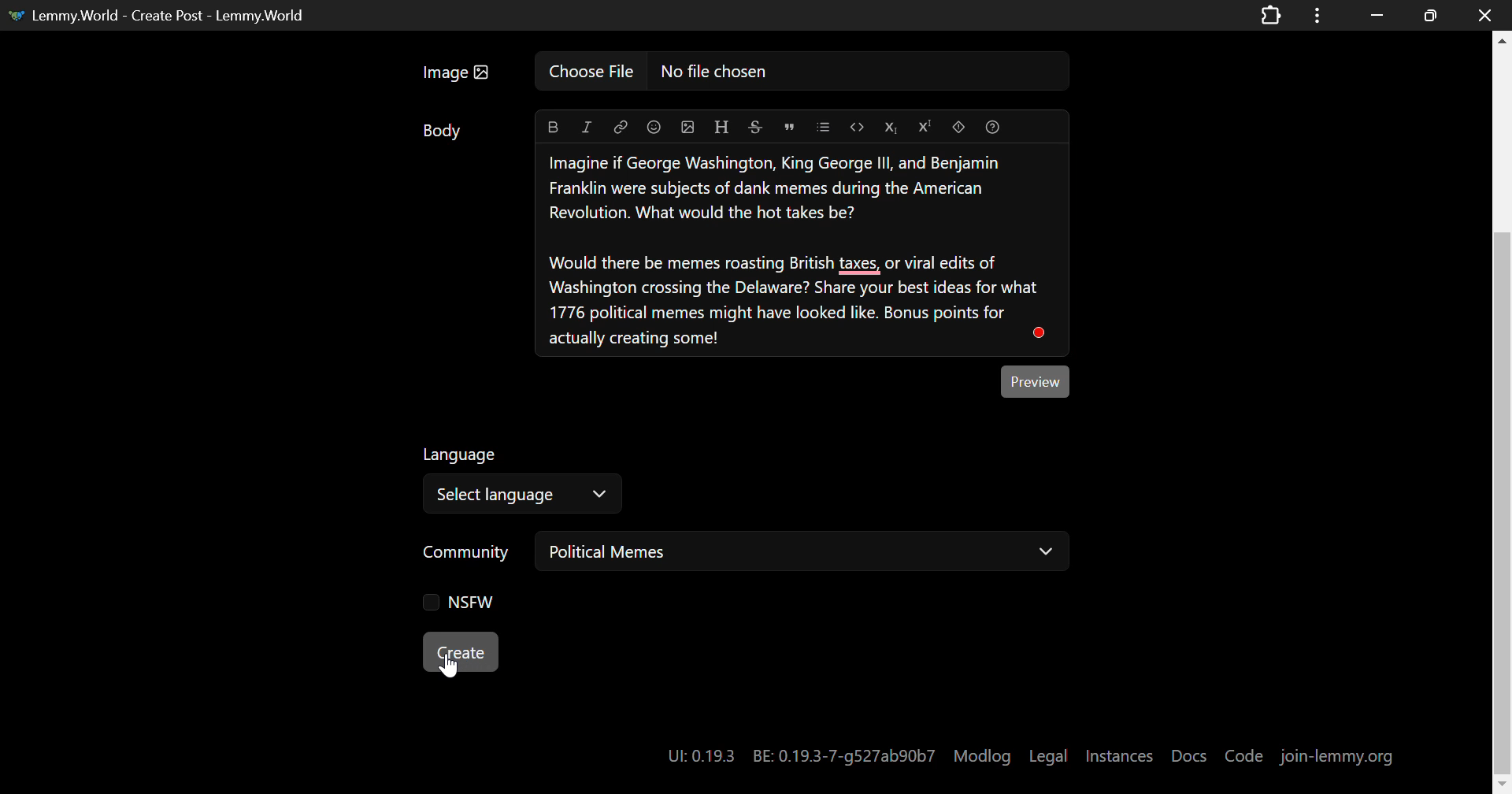 The image size is (1512, 794). Describe the element at coordinates (746, 552) in the screenshot. I see `Select Post Community` at that location.